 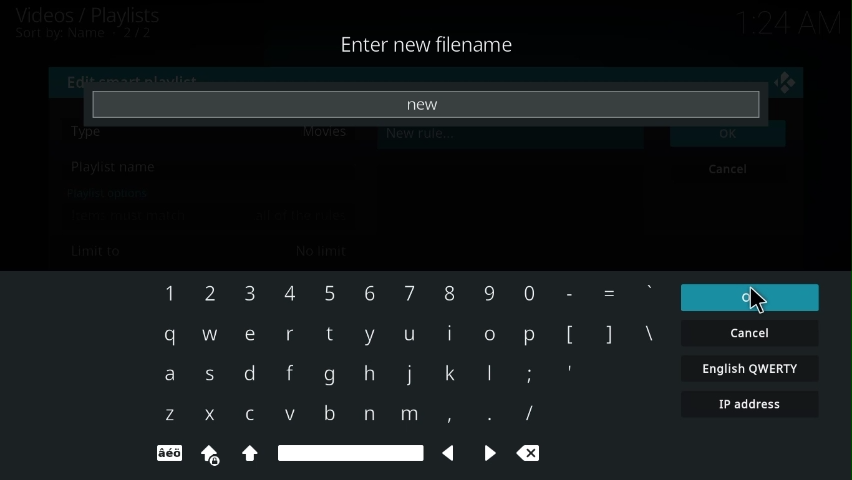 What do you see at coordinates (99, 252) in the screenshot?
I see `limit to` at bounding box center [99, 252].